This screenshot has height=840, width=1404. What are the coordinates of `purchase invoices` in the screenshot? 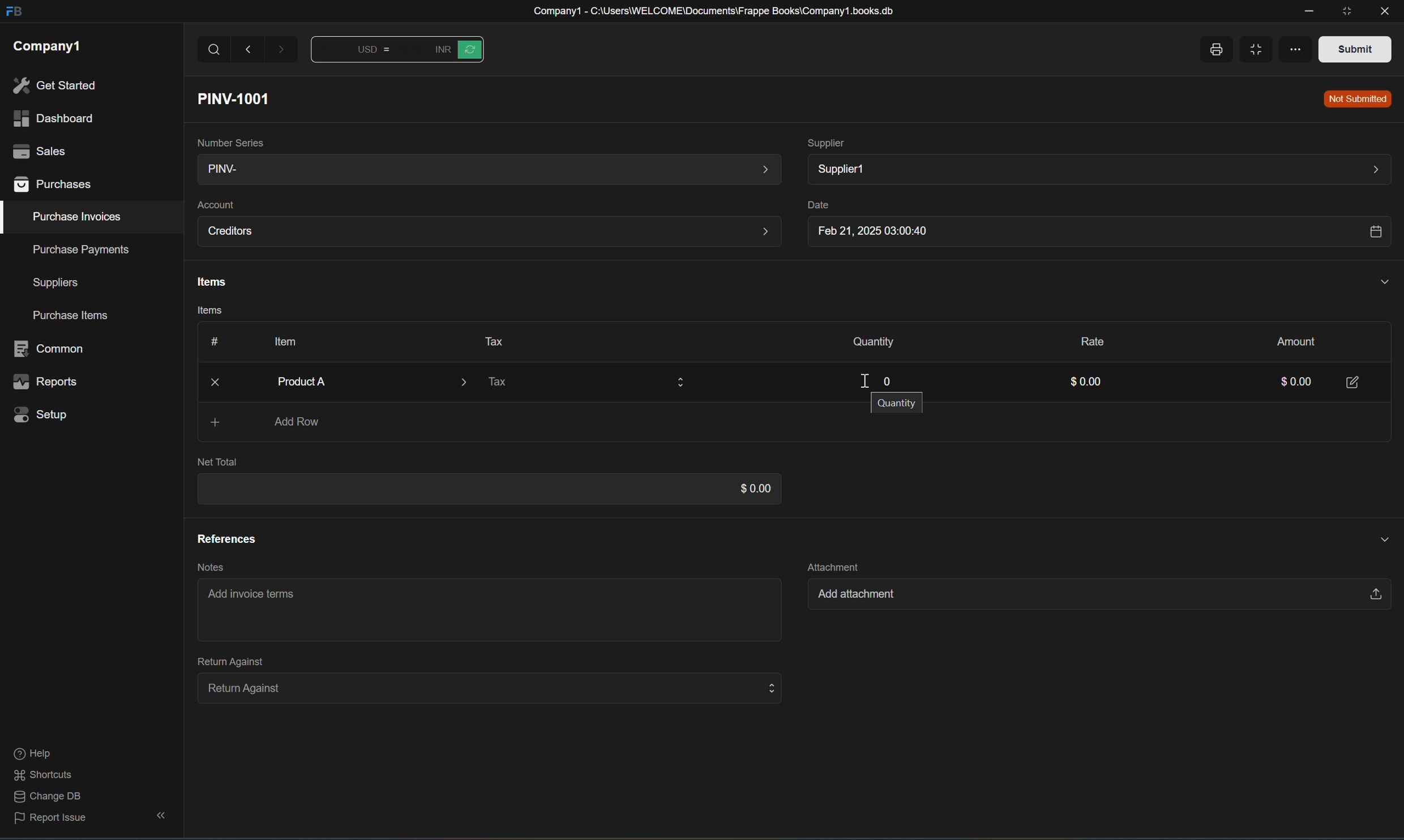 It's located at (78, 217).